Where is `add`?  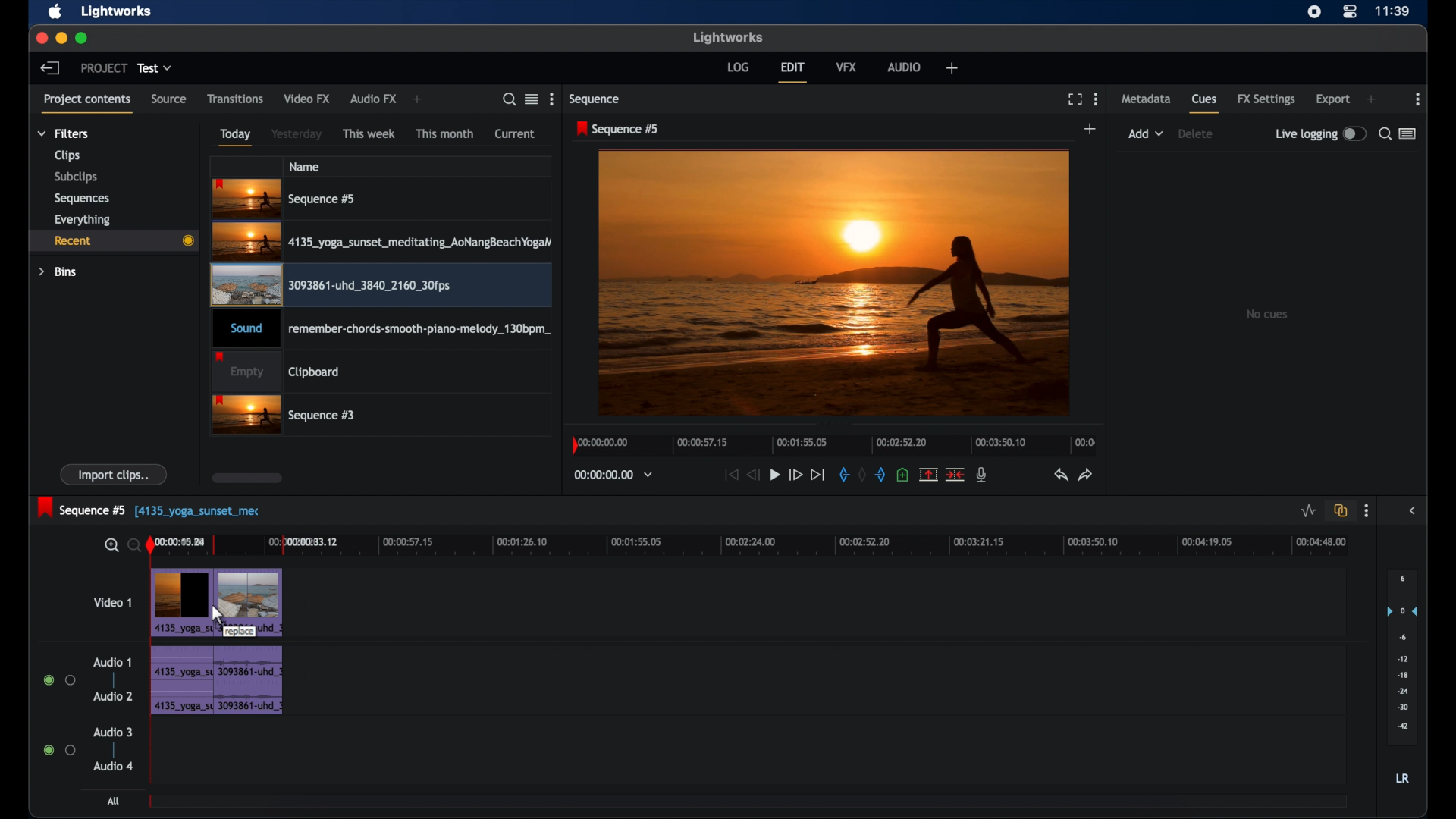
add is located at coordinates (1146, 133).